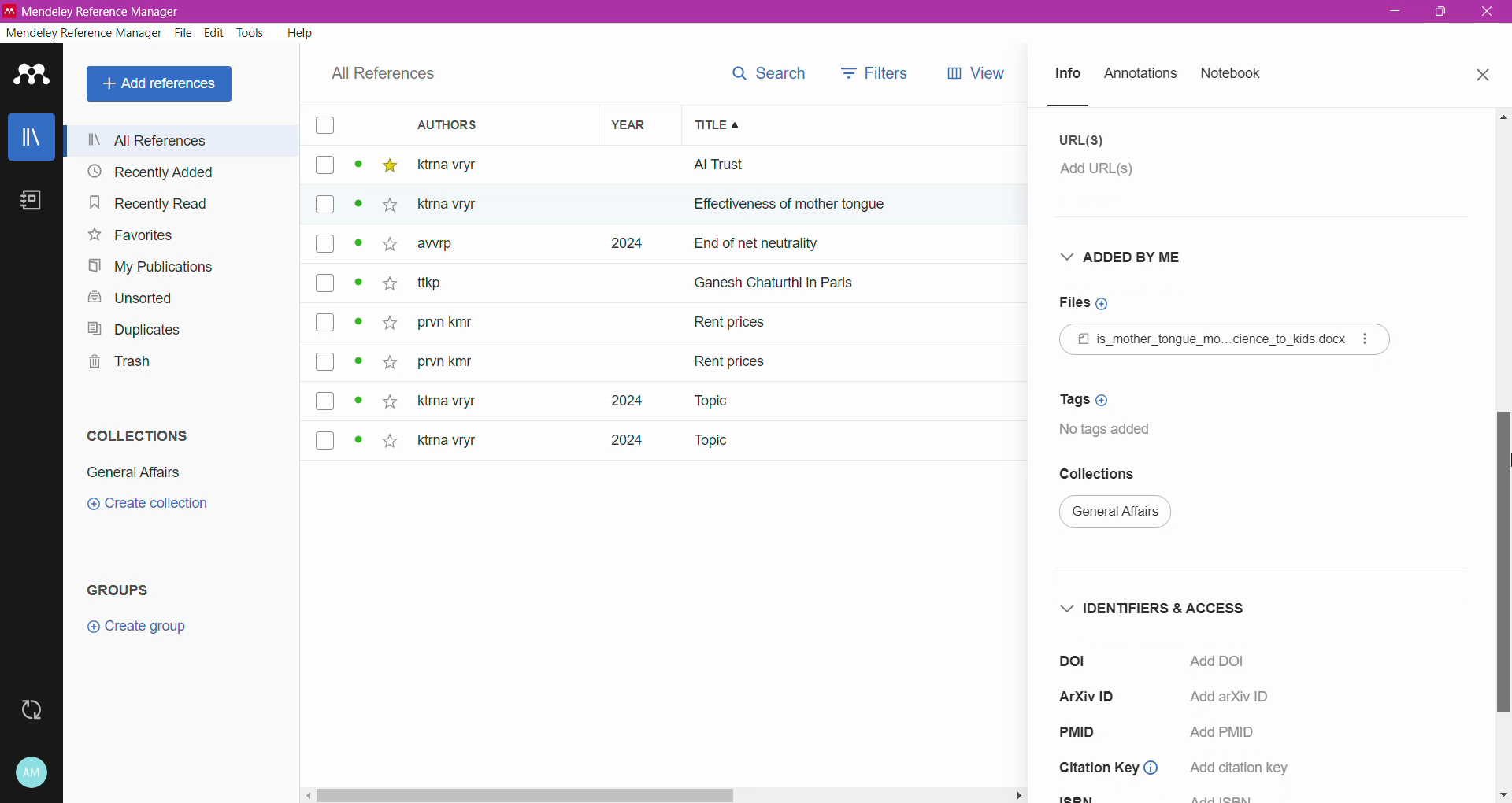 Image resolution: width=1512 pixels, height=803 pixels. Describe the element at coordinates (1226, 696) in the screenshot. I see `Add arXiv ID` at that location.